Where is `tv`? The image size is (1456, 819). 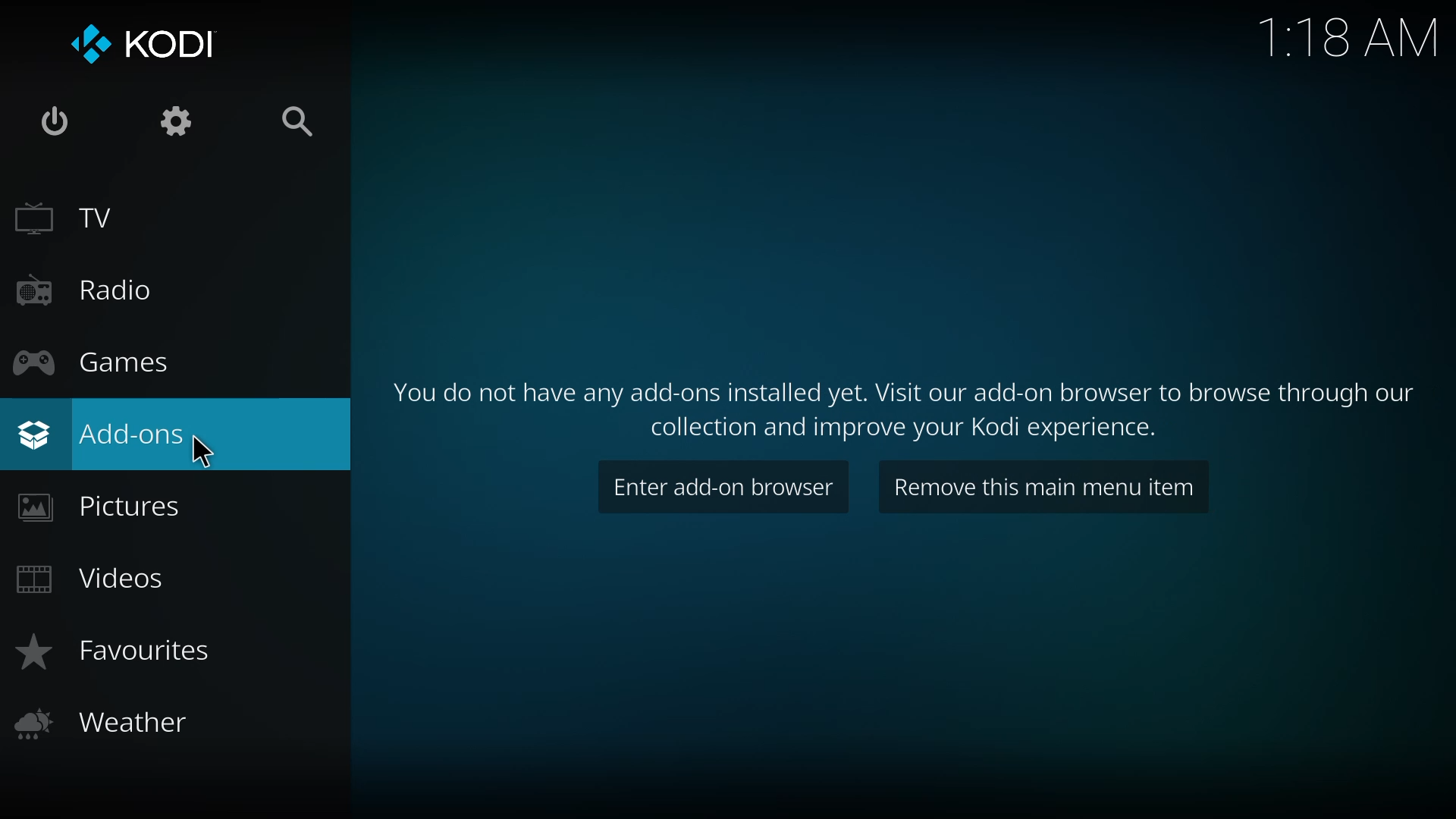
tv is located at coordinates (67, 218).